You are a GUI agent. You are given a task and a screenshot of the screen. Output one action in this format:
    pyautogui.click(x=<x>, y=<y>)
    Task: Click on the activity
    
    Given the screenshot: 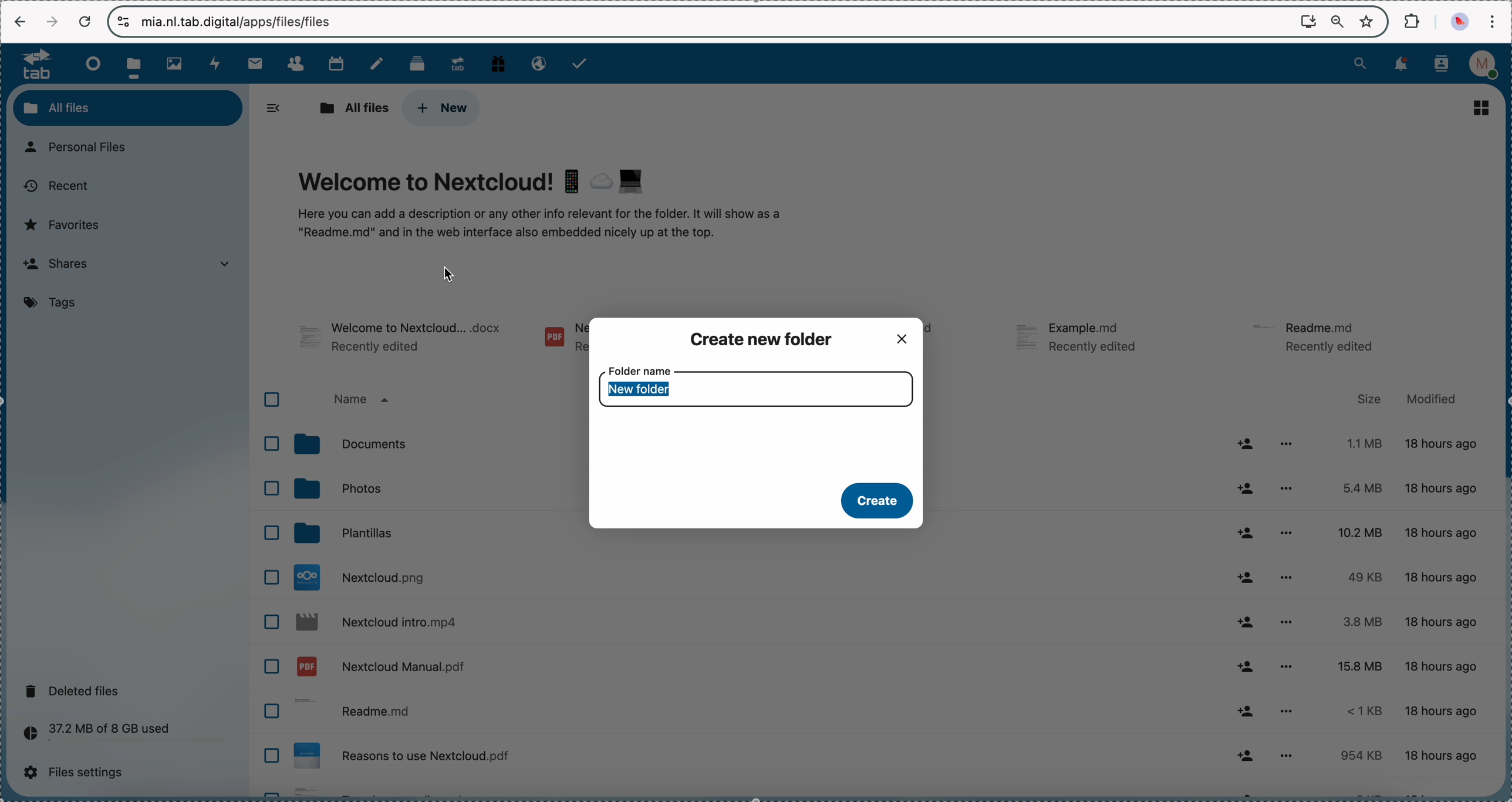 What is the action you would take?
    pyautogui.click(x=217, y=63)
    